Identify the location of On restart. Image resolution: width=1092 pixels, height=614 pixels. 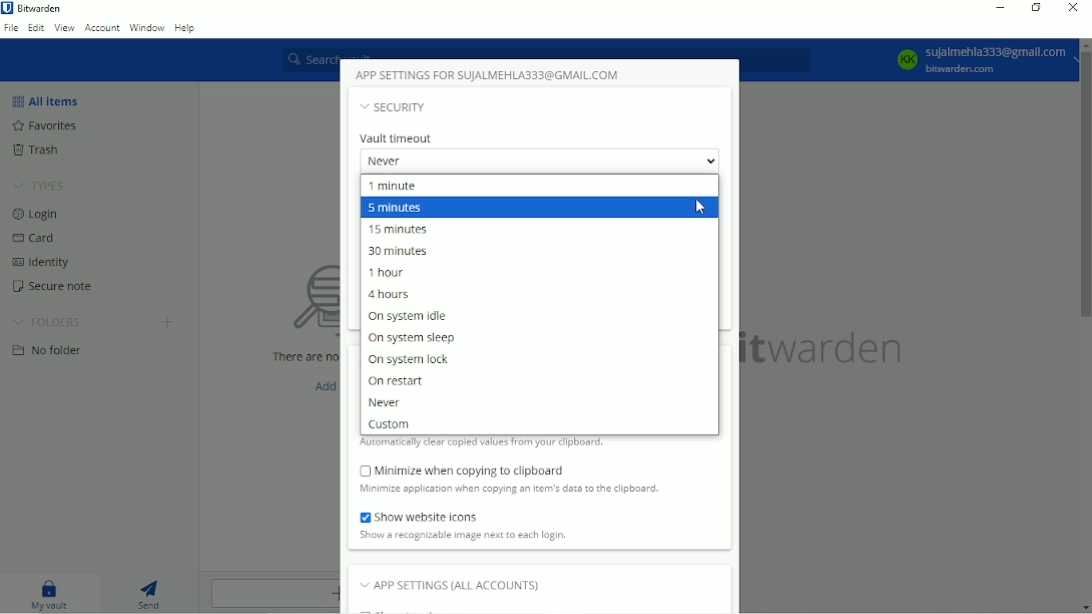
(397, 382).